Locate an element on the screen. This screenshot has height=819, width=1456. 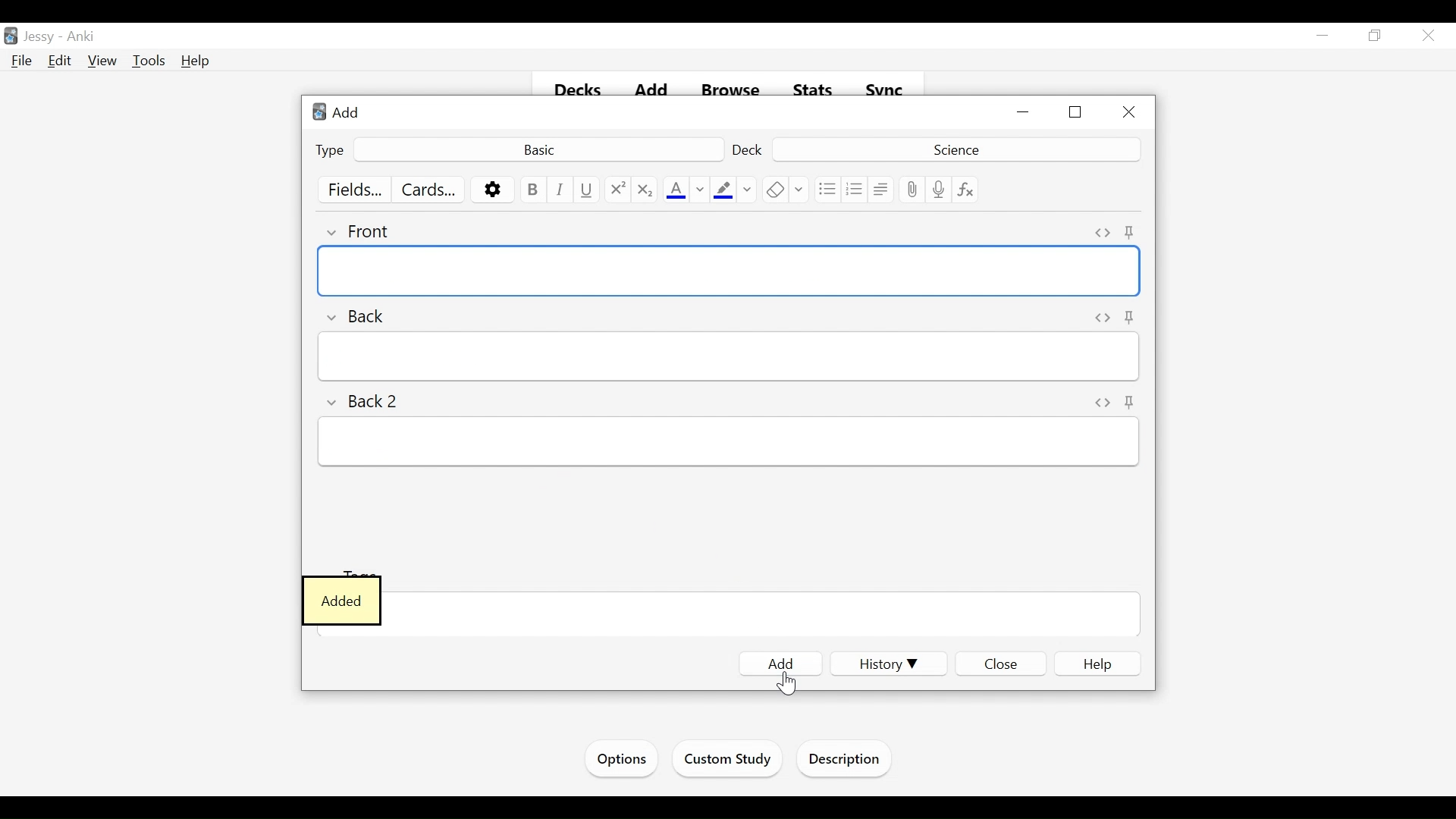
Options is located at coordinates (493, 190).